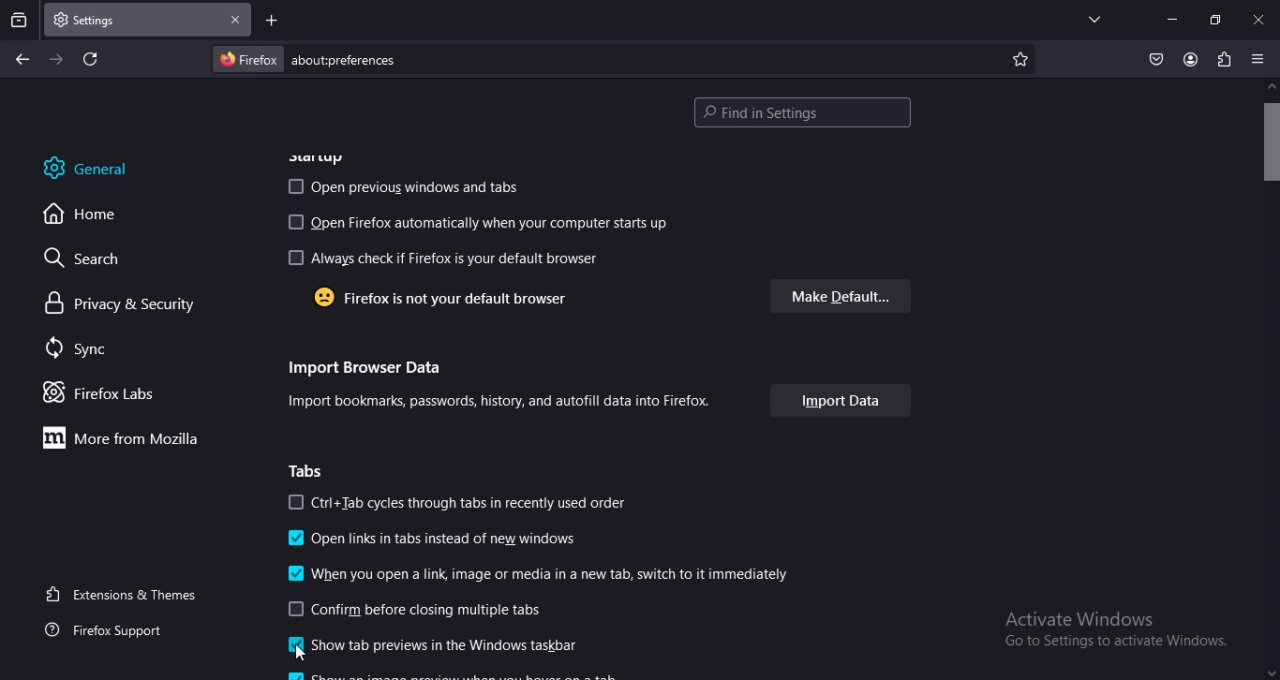  Describe the element at coordinates (1022, 57) in the screenshot. I see `bookmark page` at that location.